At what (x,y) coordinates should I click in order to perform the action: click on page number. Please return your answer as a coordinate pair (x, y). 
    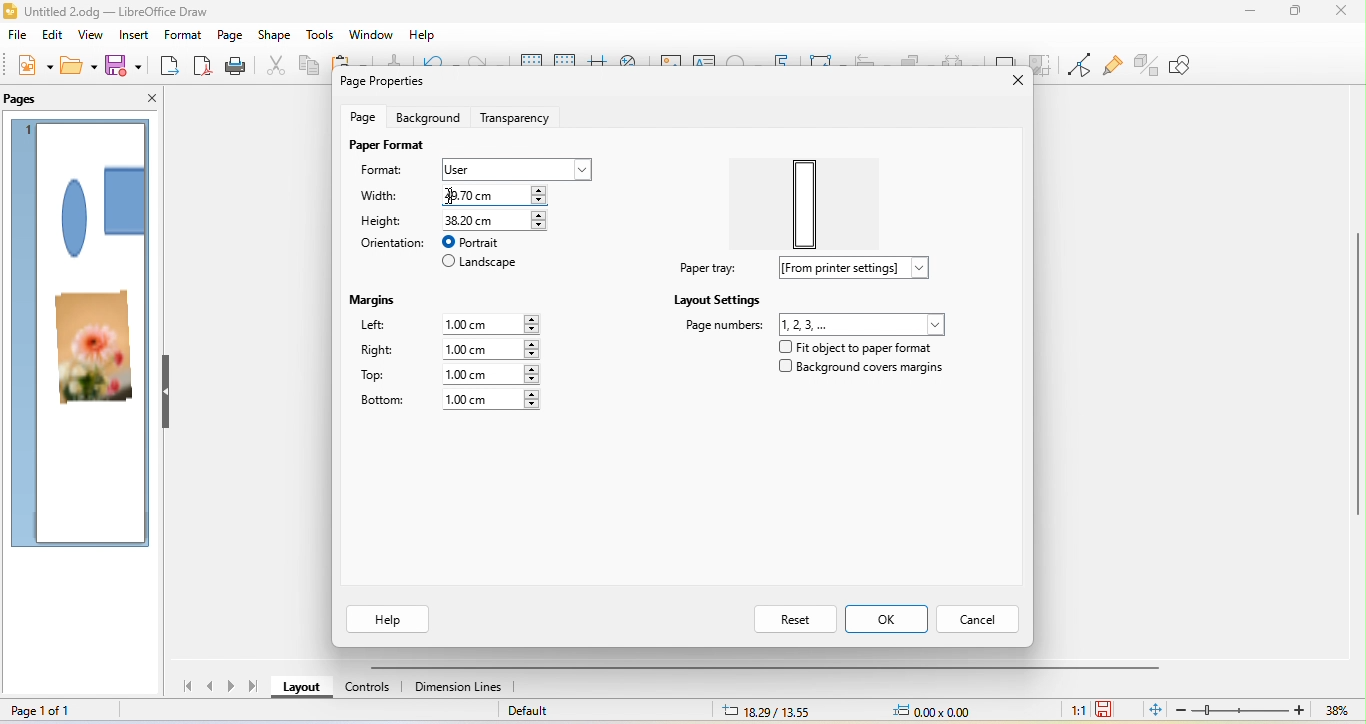
    Looking at the image, I should click on (815, 323).